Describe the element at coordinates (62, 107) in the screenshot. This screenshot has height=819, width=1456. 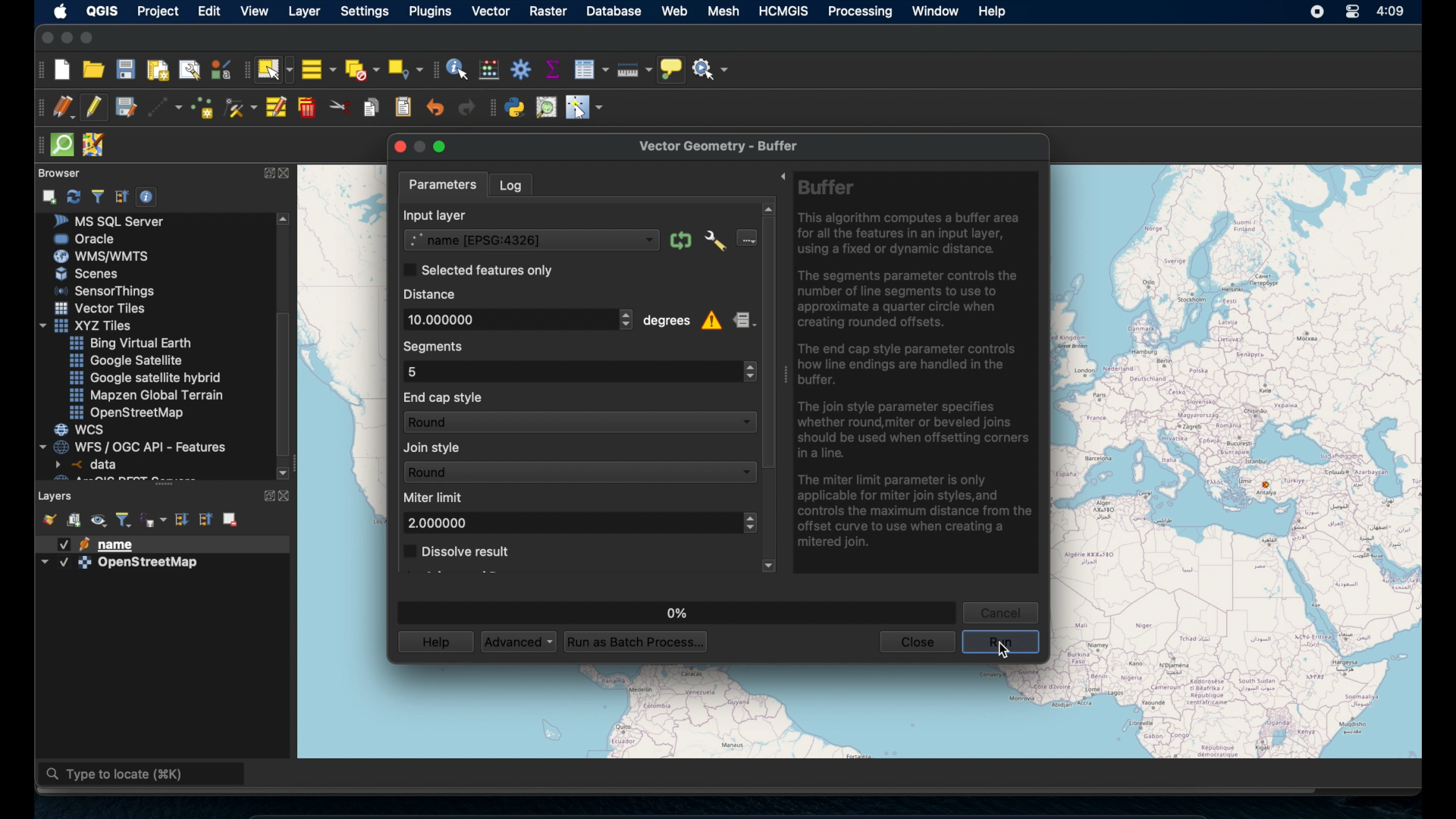
I see `current edits` at that location.